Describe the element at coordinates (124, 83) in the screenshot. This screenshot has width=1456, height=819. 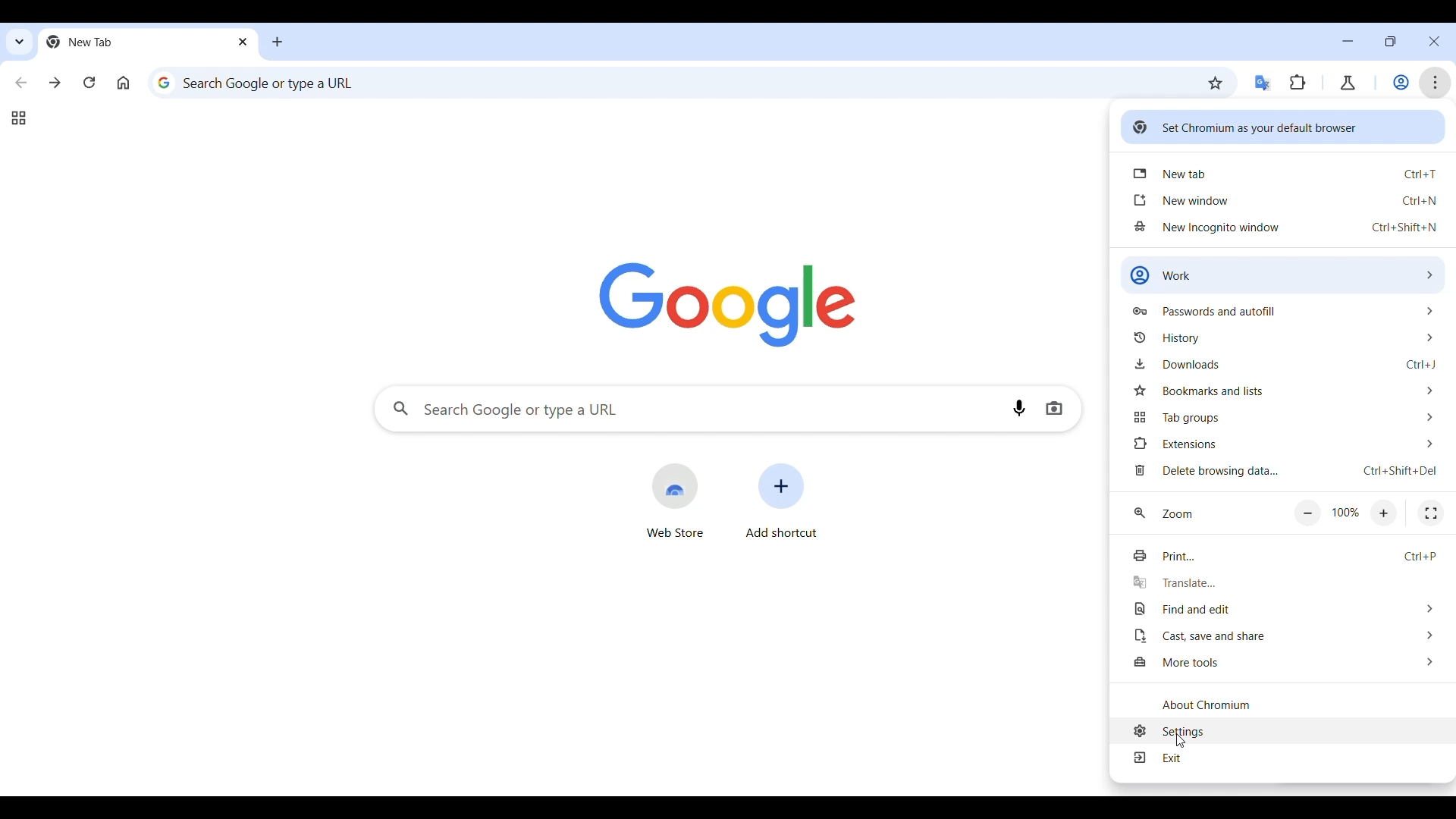
I see `Go to homepage` at that location.